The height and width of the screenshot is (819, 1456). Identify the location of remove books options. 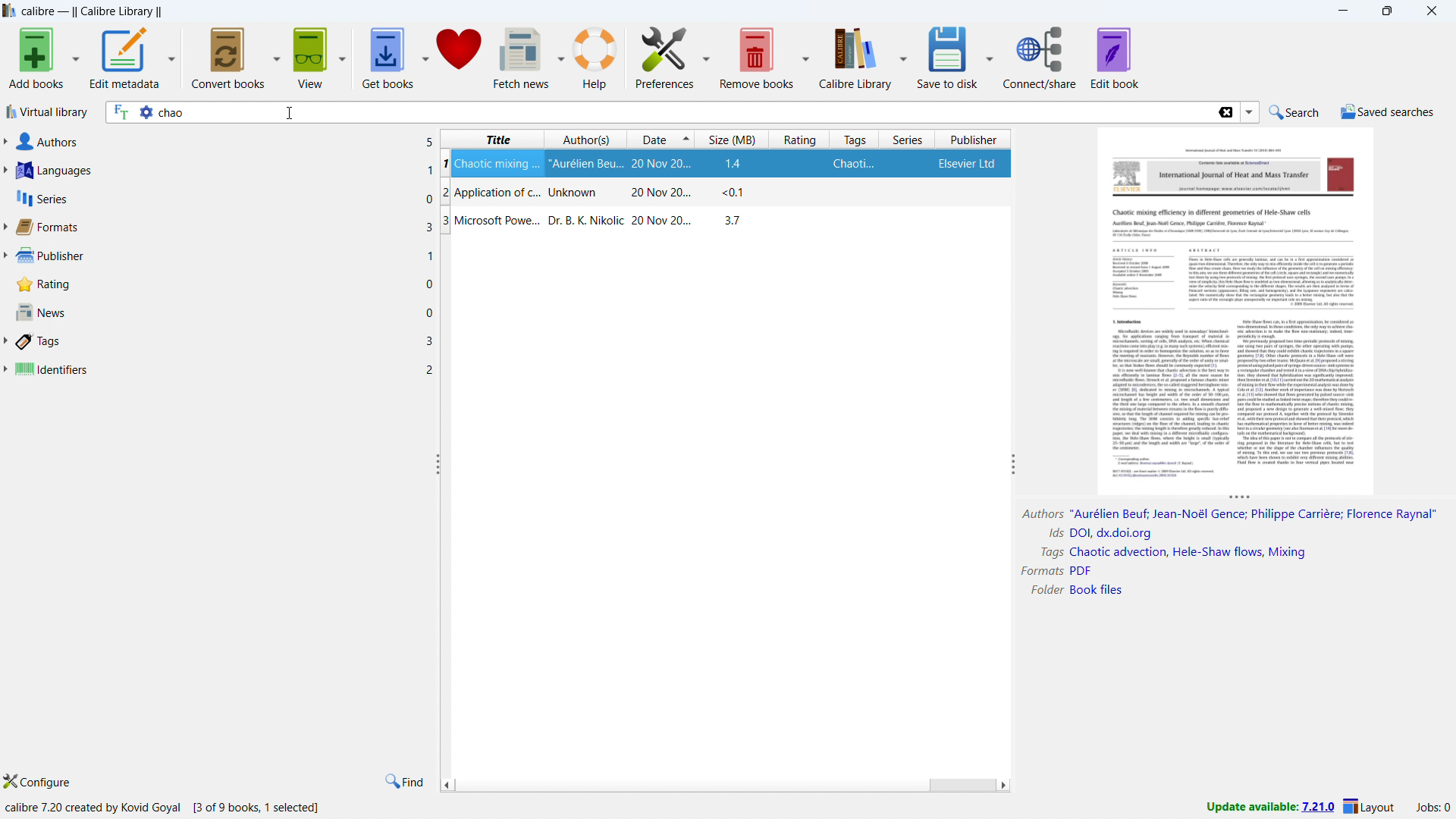
(807, 57).